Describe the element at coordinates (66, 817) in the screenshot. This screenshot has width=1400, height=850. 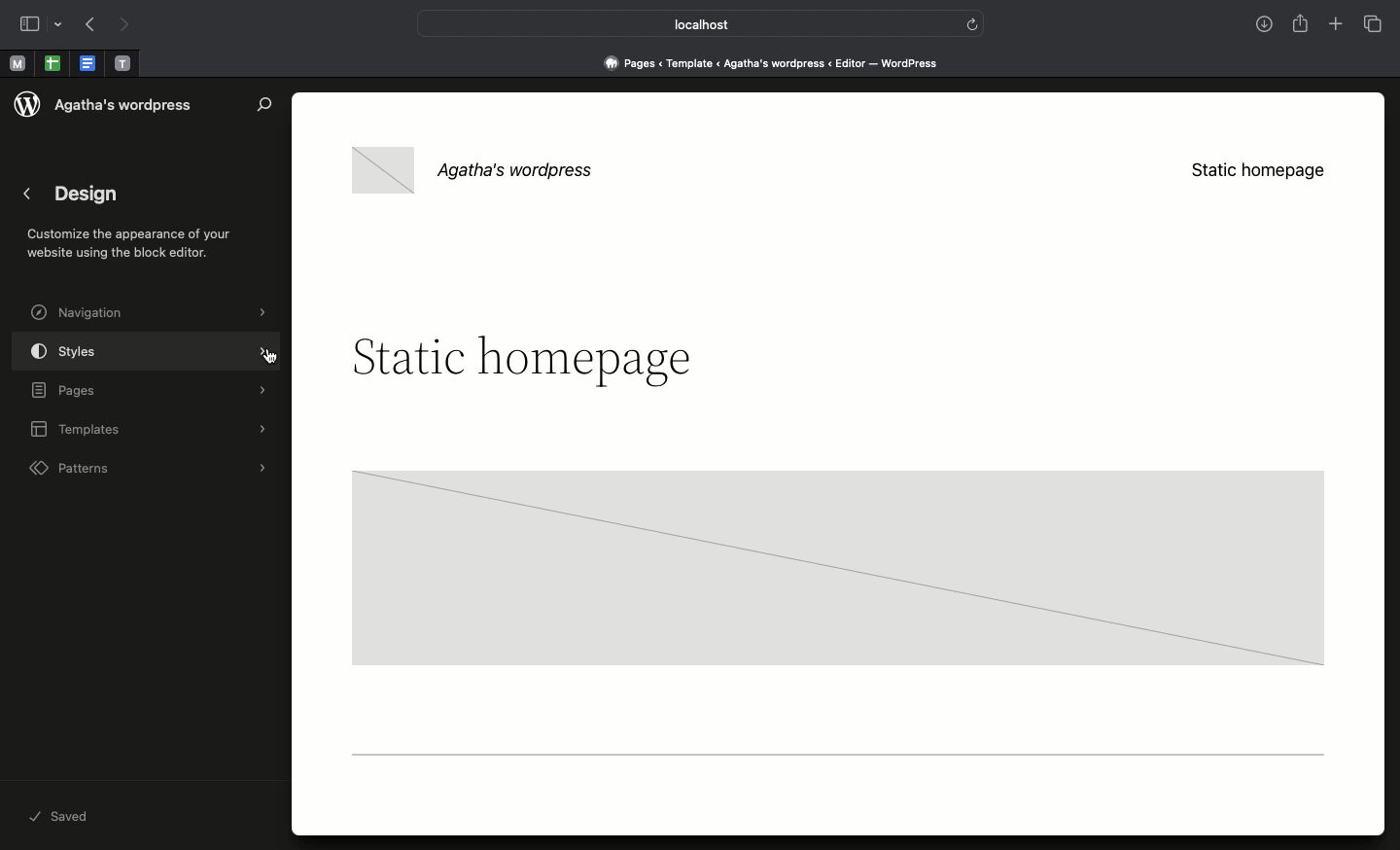
I see `Saved` at that location.